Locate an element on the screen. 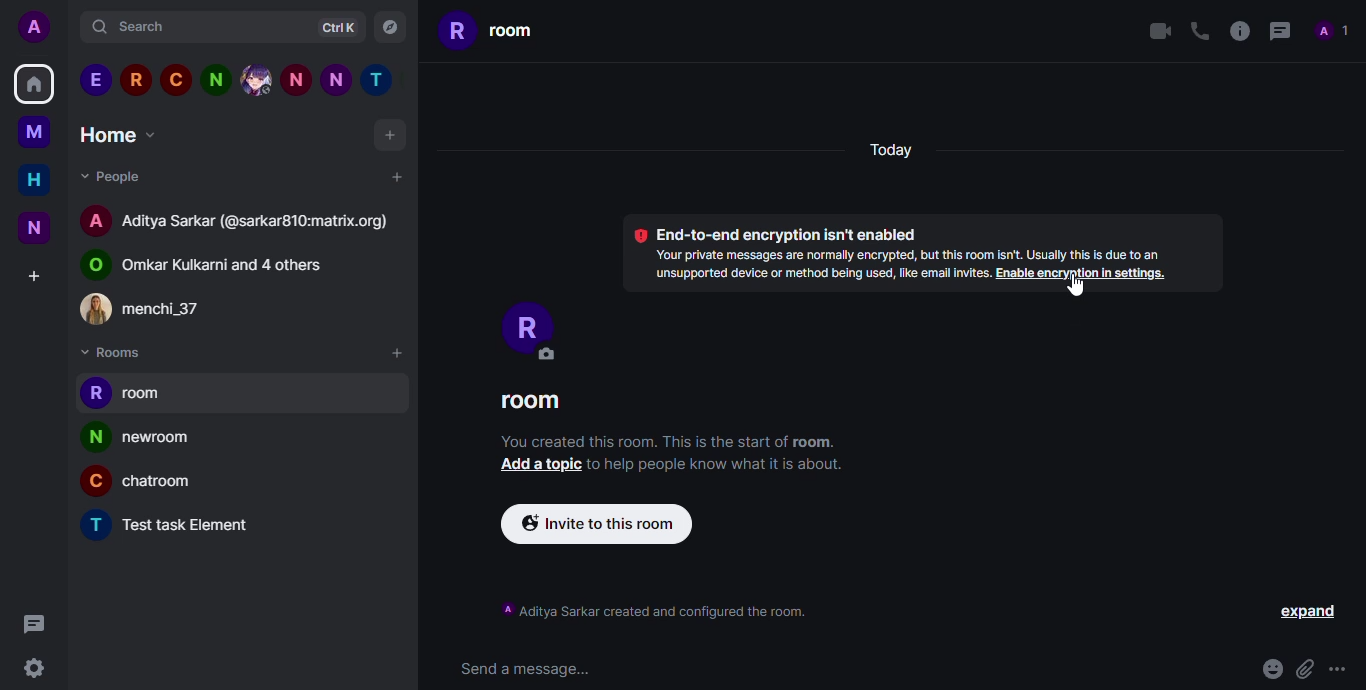  people is located at coordinates (163, 311).